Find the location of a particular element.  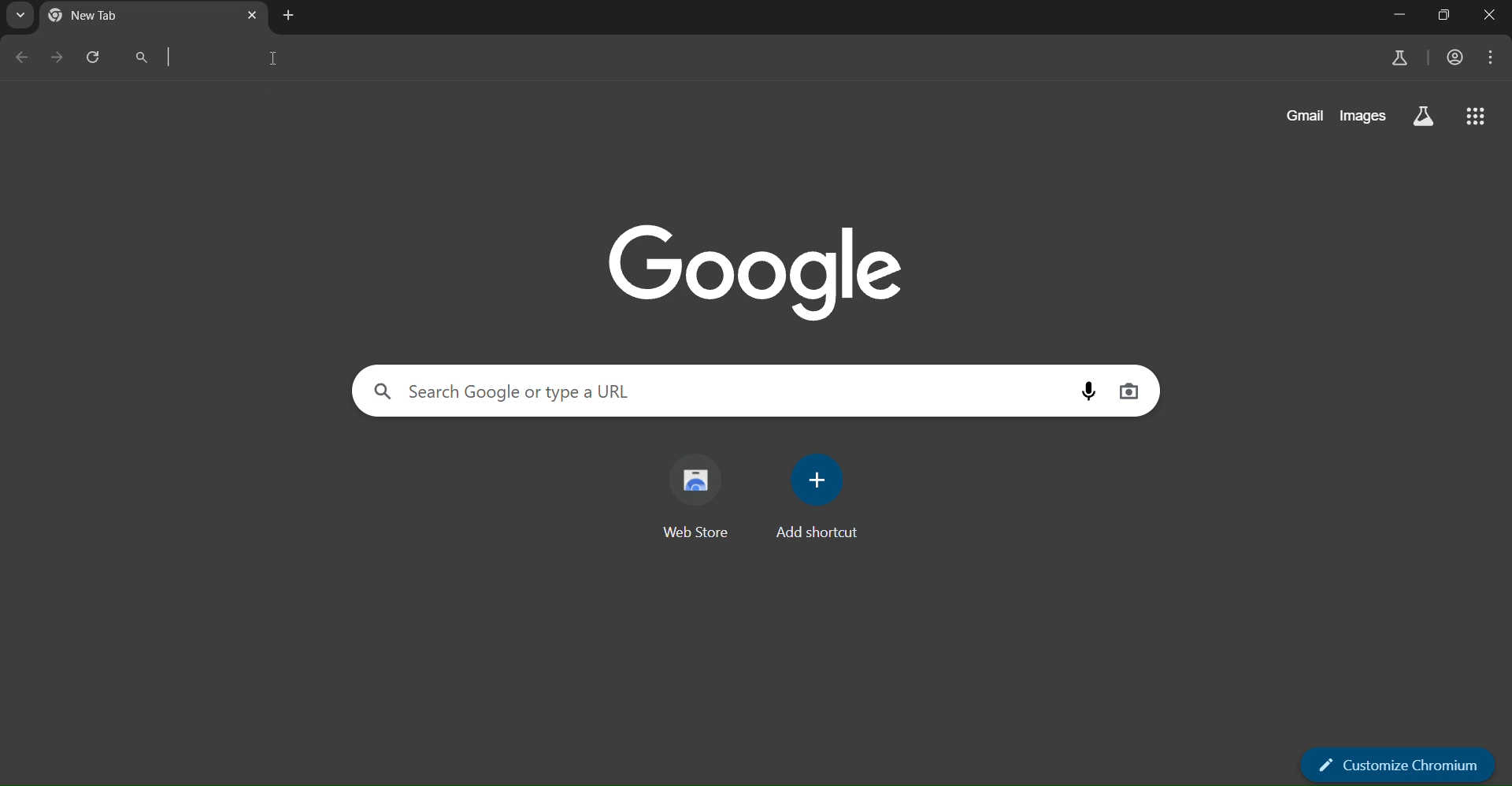

search labs is located at coordinates (1425, 117).